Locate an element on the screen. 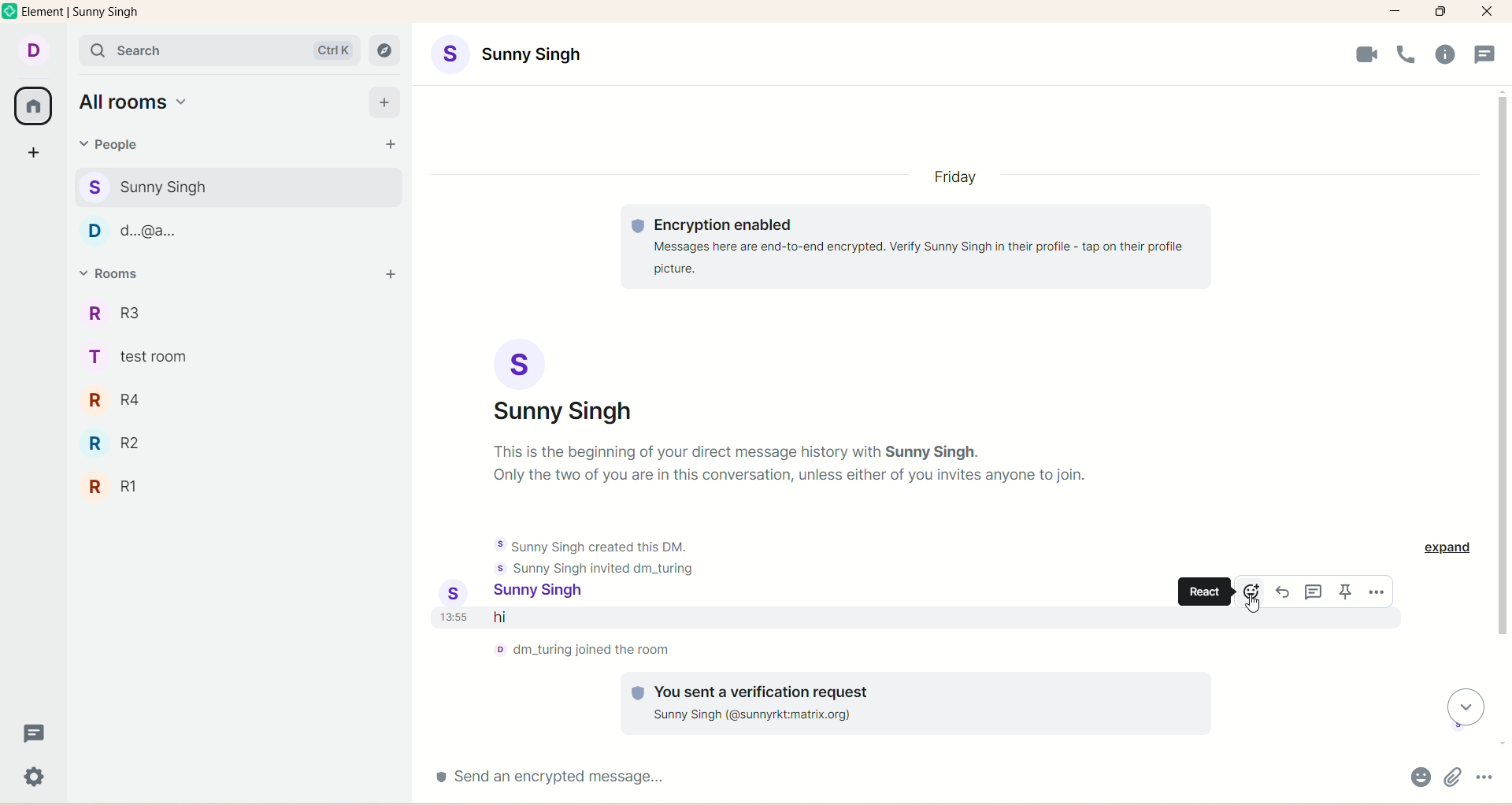 This screenshot has width=1512, height=805. attachments is located at coordinates (1453, 777).